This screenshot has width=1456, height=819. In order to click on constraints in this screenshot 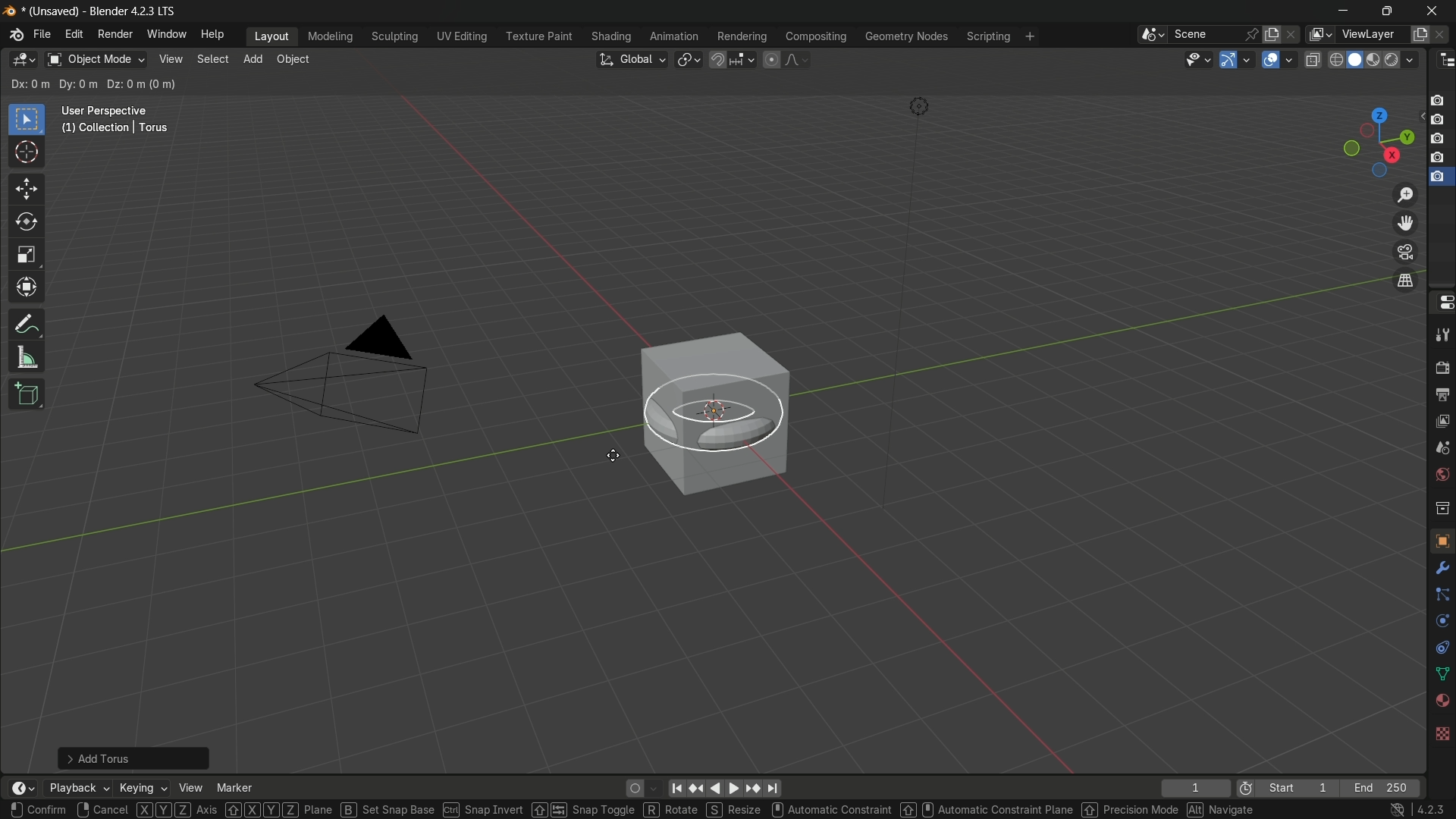, I will do `click(1441, 648)`.